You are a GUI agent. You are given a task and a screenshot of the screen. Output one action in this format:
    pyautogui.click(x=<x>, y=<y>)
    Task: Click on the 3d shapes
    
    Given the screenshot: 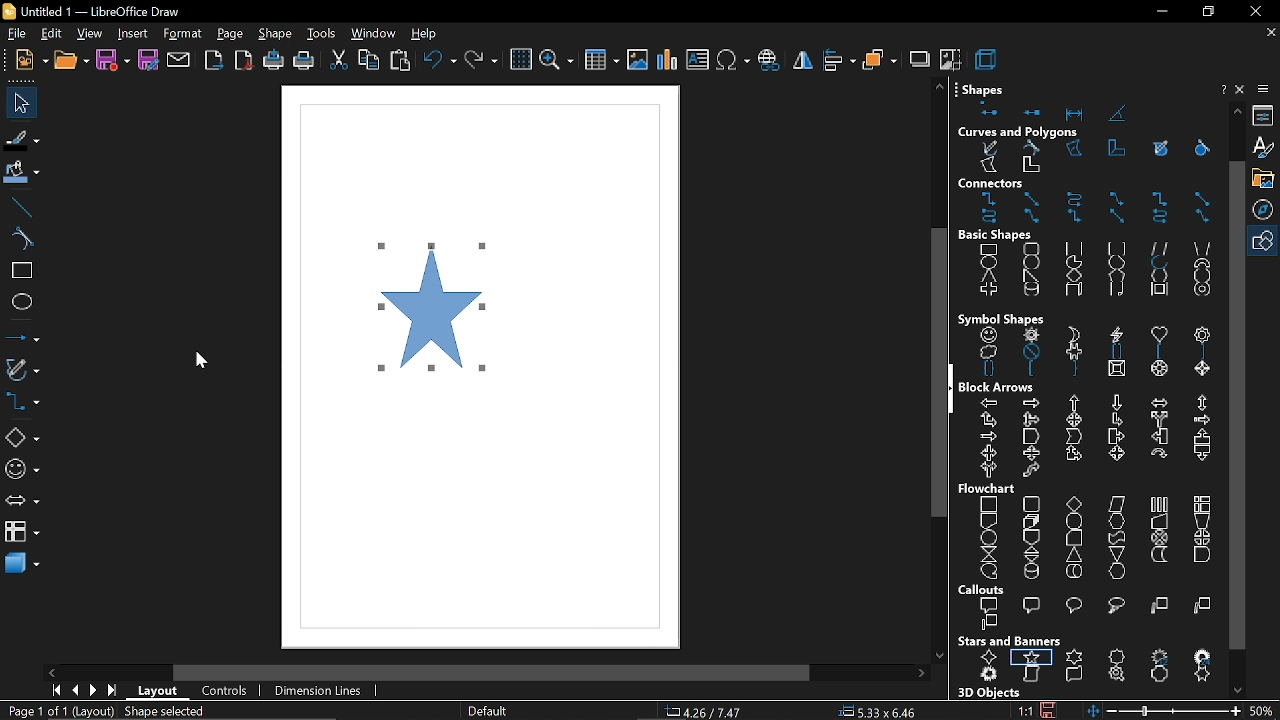 What is the action you would take?
    pyautogui.click(x=22, y=565)
    